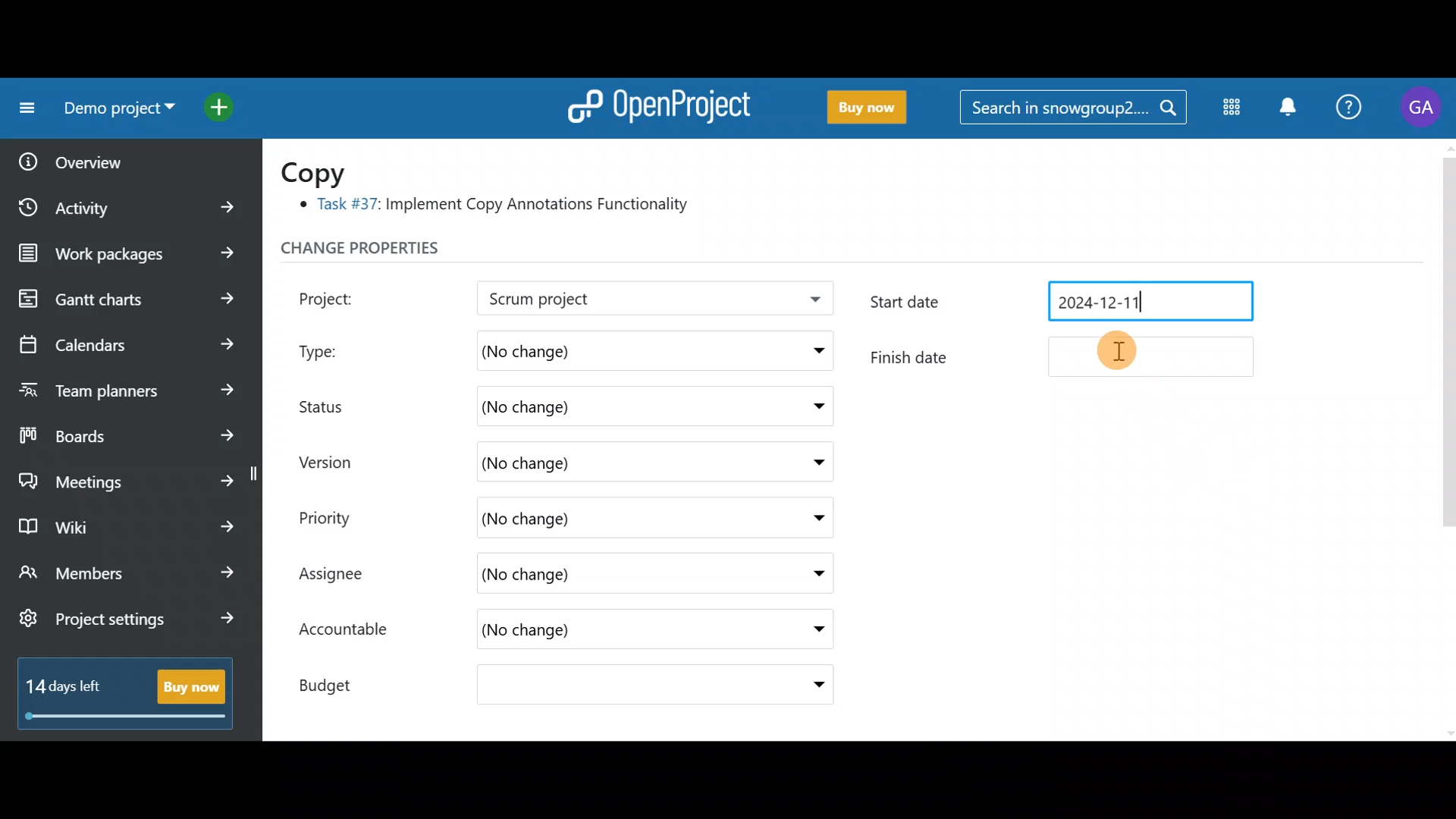  What do you see at coordinates (1350, 109) in the screenshot?
I see `Help` at bounding box center [1350, 109].